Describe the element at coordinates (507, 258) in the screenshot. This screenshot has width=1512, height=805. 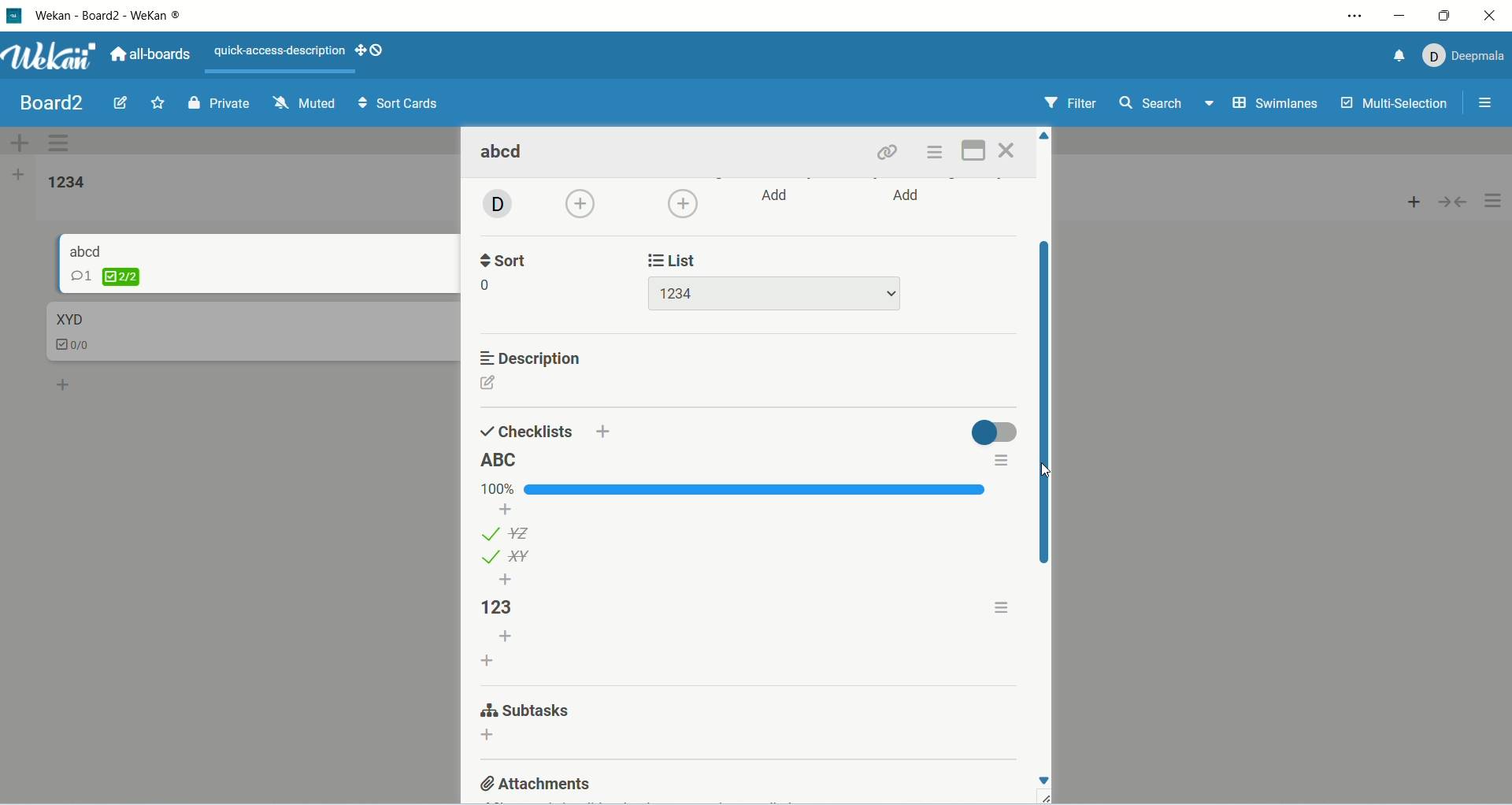
I see `sort` at that location.